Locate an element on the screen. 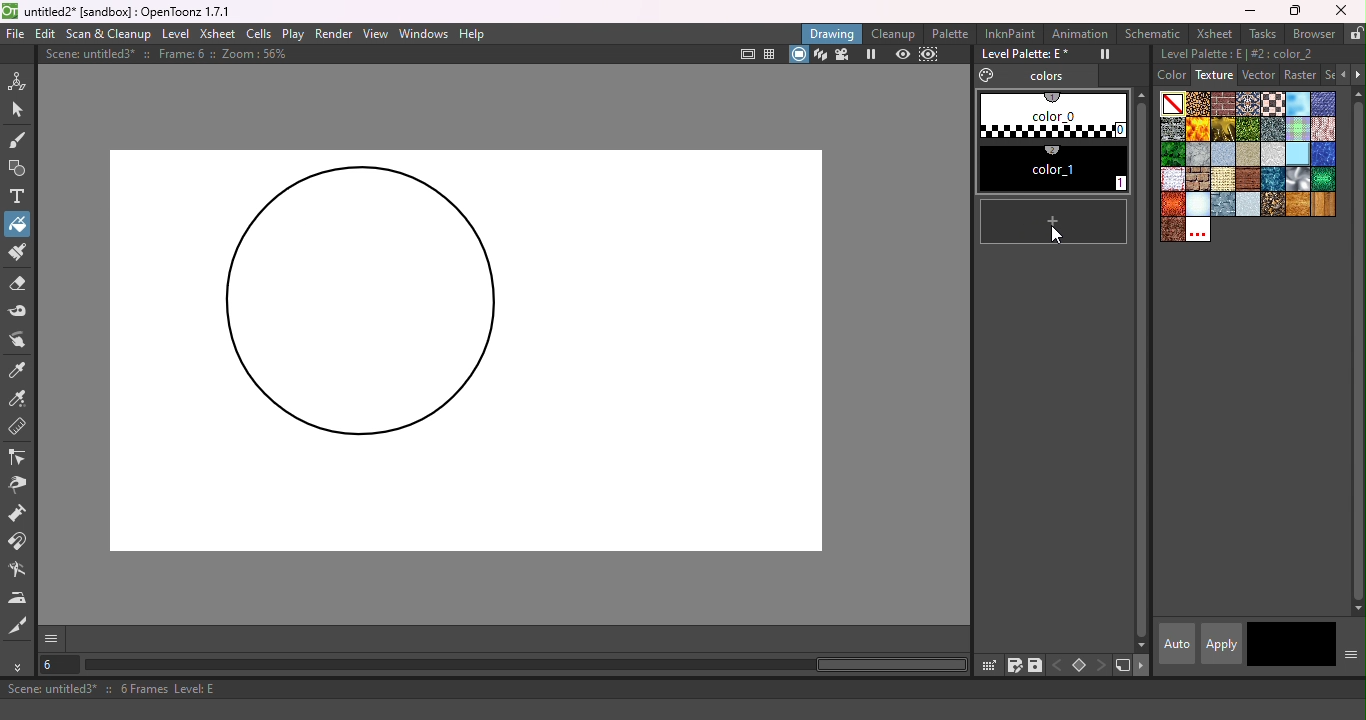 Image resolution: width=1366 pixels, height=720 pixels. Style picker tool is located at coordinates (23, 371).